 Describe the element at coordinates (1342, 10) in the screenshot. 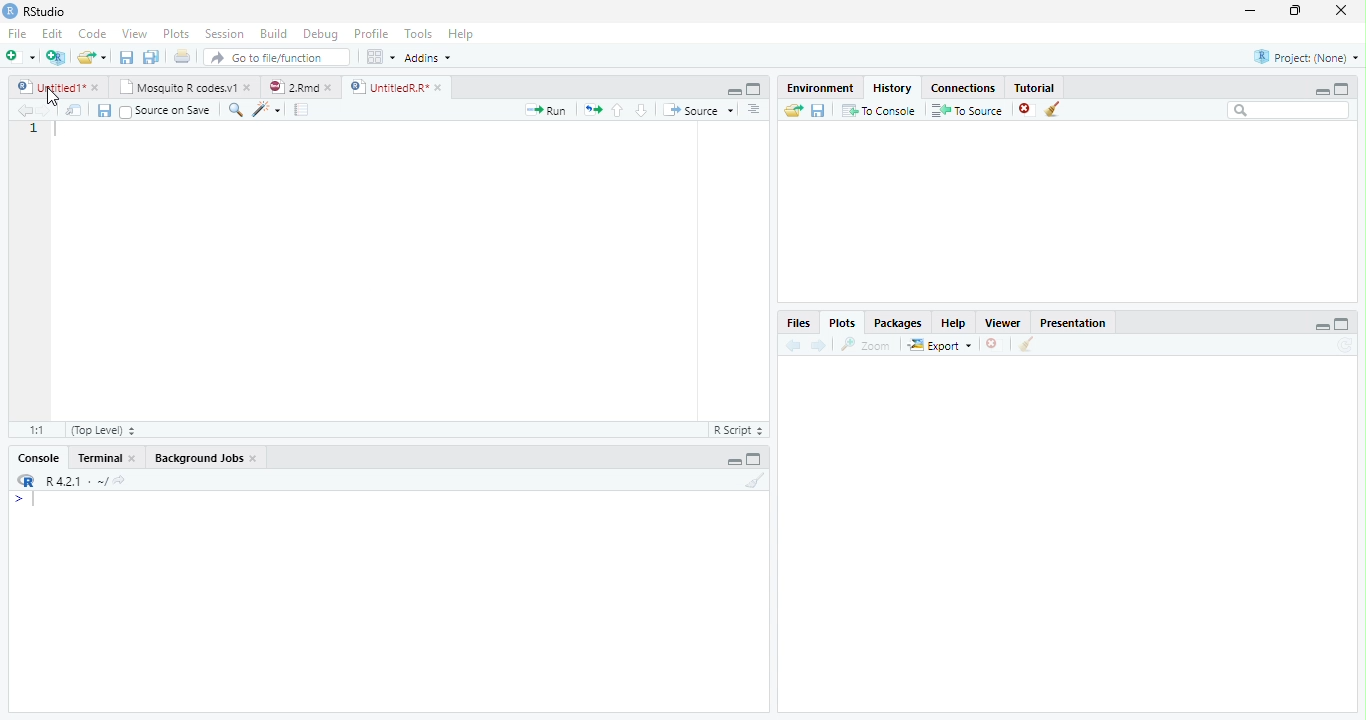

I see `close` at that location.